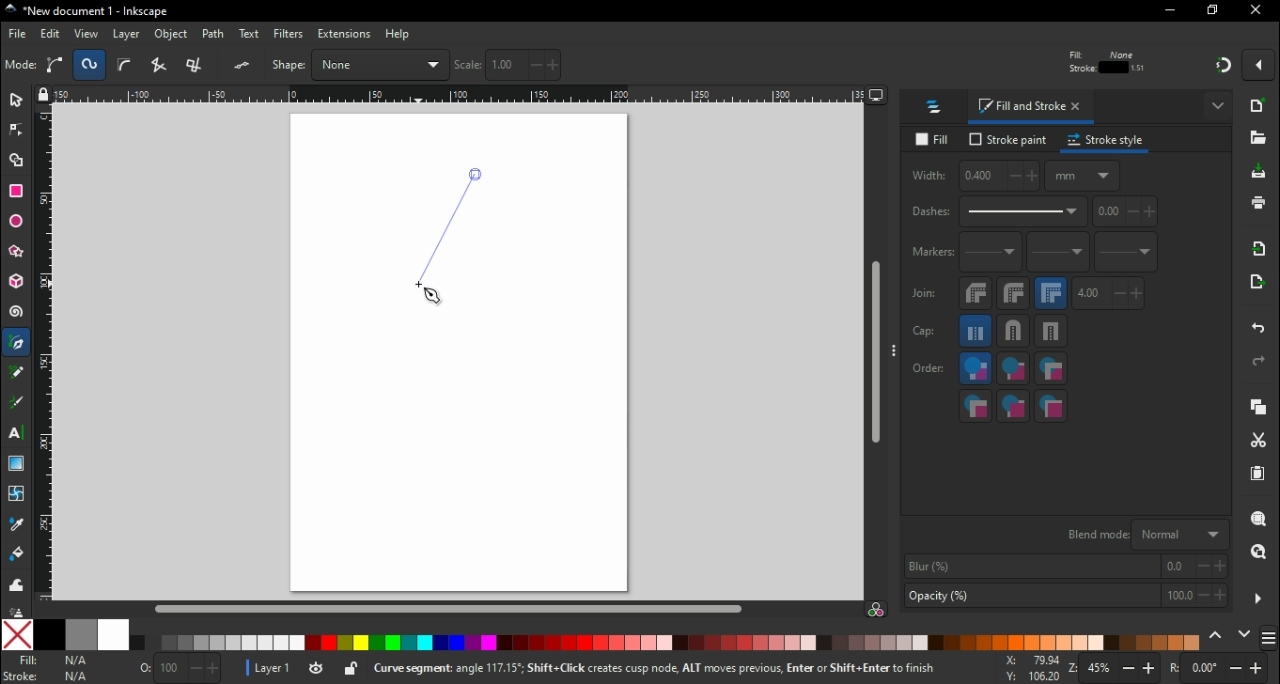 This screenshot has width=1280, height=684. Describe the element at coordinates (1032, 109) in the screenshot. I see `fill and stroke` at that location.